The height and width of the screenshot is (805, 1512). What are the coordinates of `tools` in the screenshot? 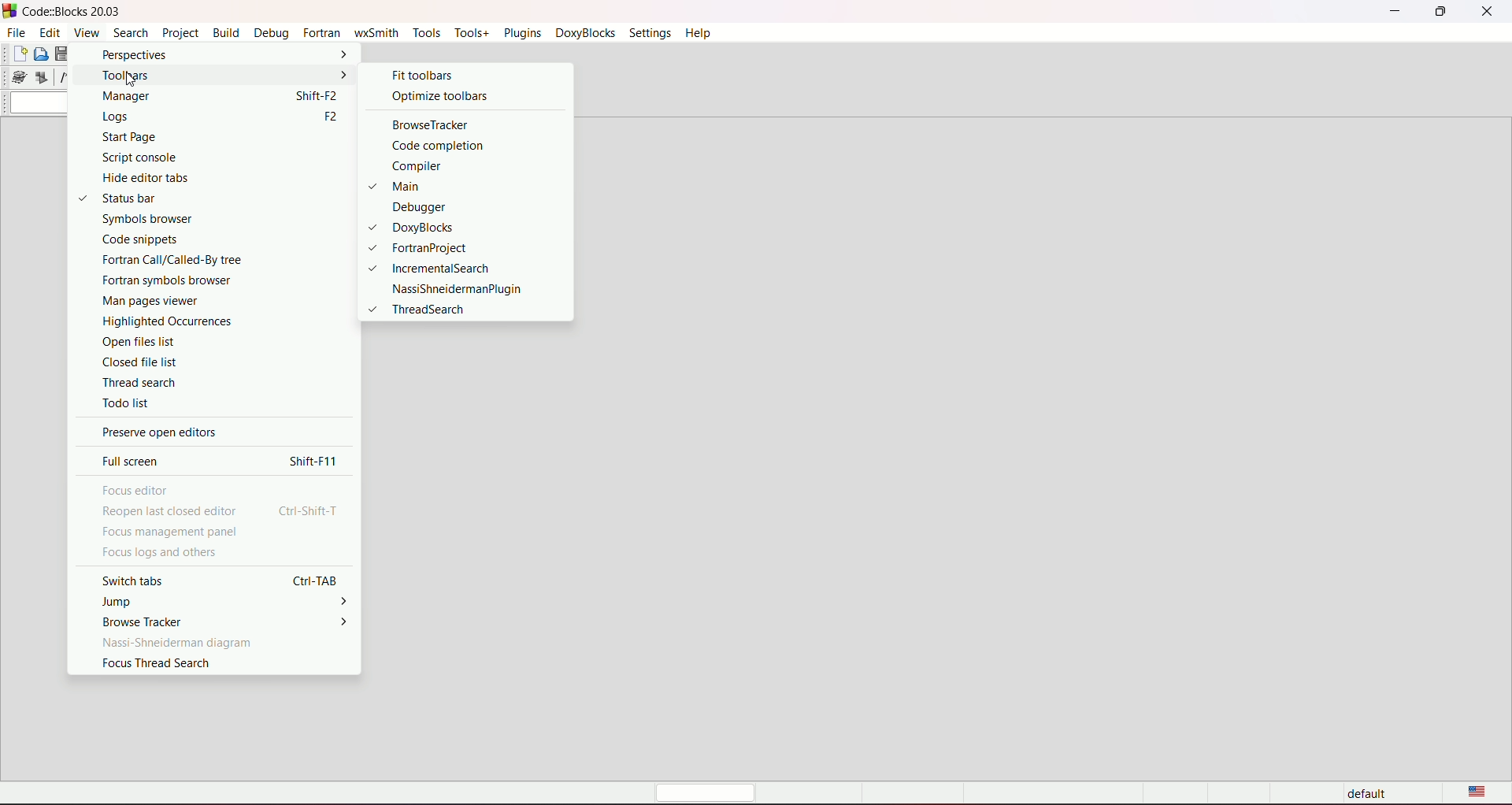 It's located at (426, 32).